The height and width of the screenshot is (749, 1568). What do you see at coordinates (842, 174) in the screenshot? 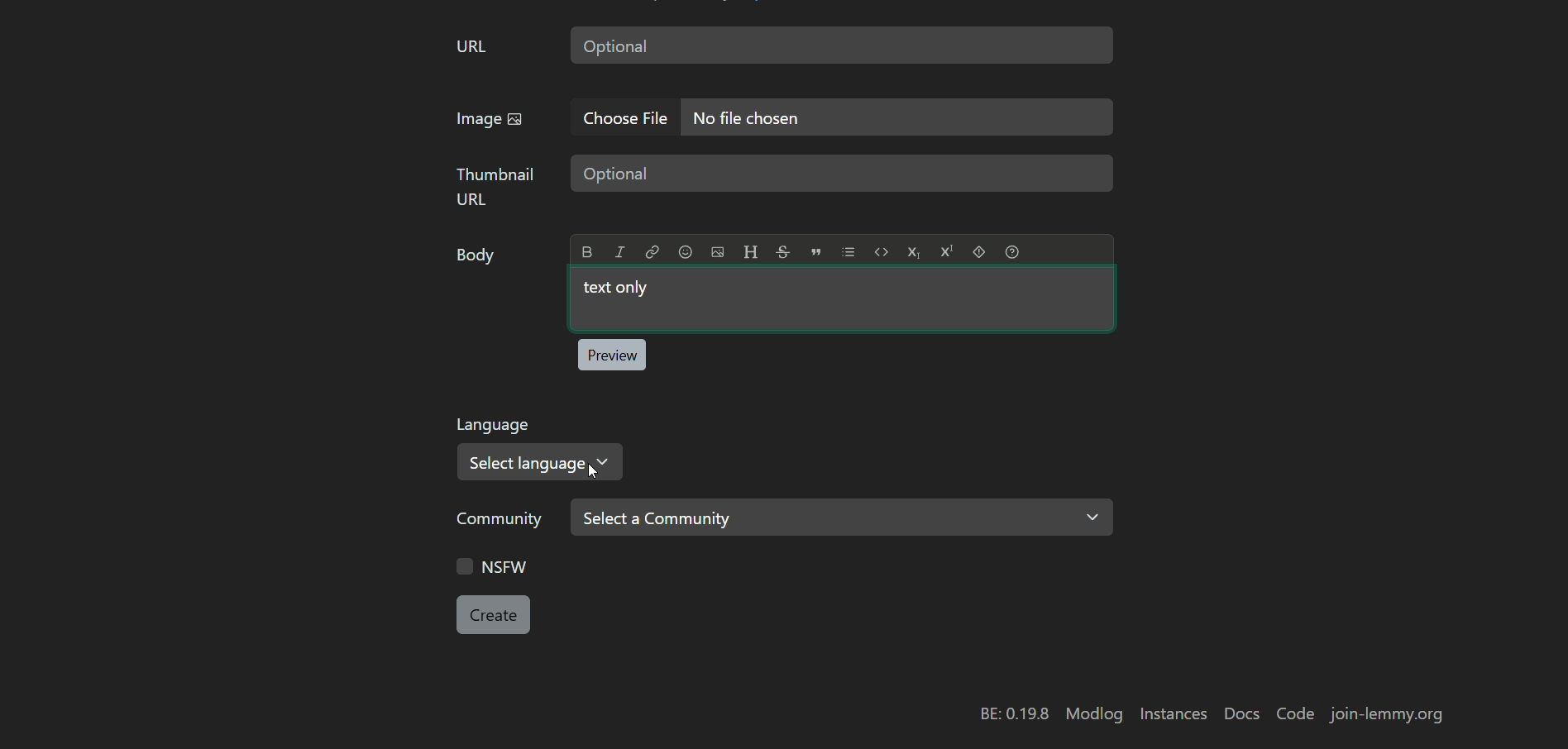
I see `text box` at bounding box center [842, 174].